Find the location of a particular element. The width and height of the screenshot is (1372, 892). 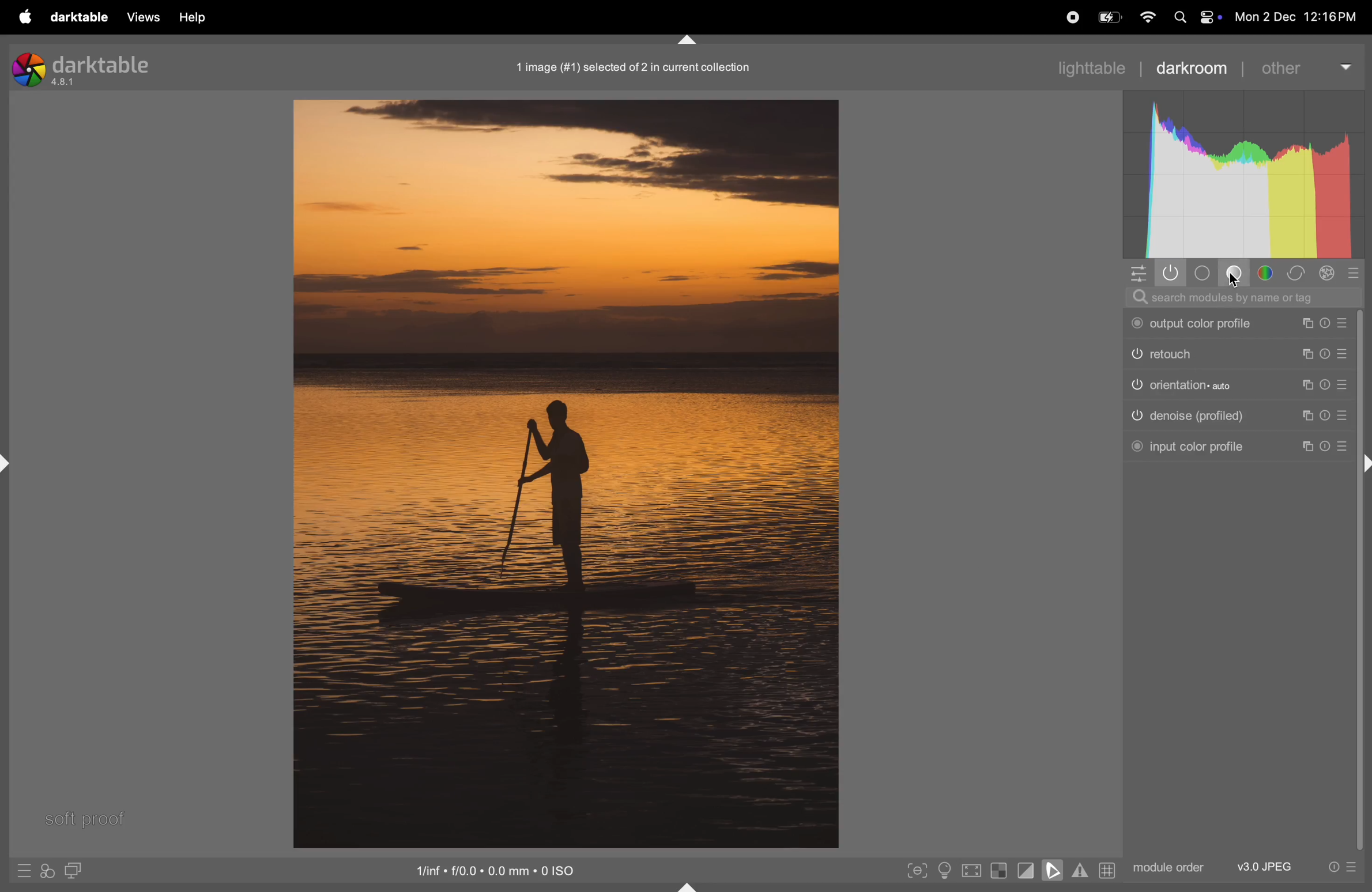

darkroom is located at coordinates (1192, 67).